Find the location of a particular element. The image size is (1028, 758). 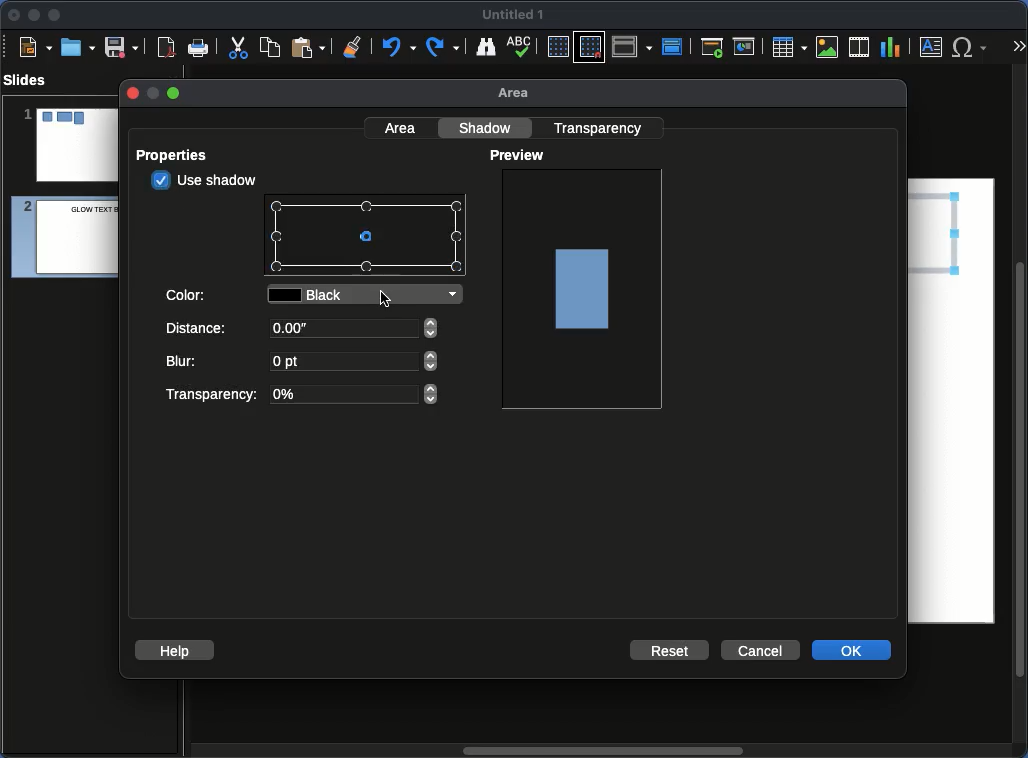

OK is located at coordinates (853, 649).